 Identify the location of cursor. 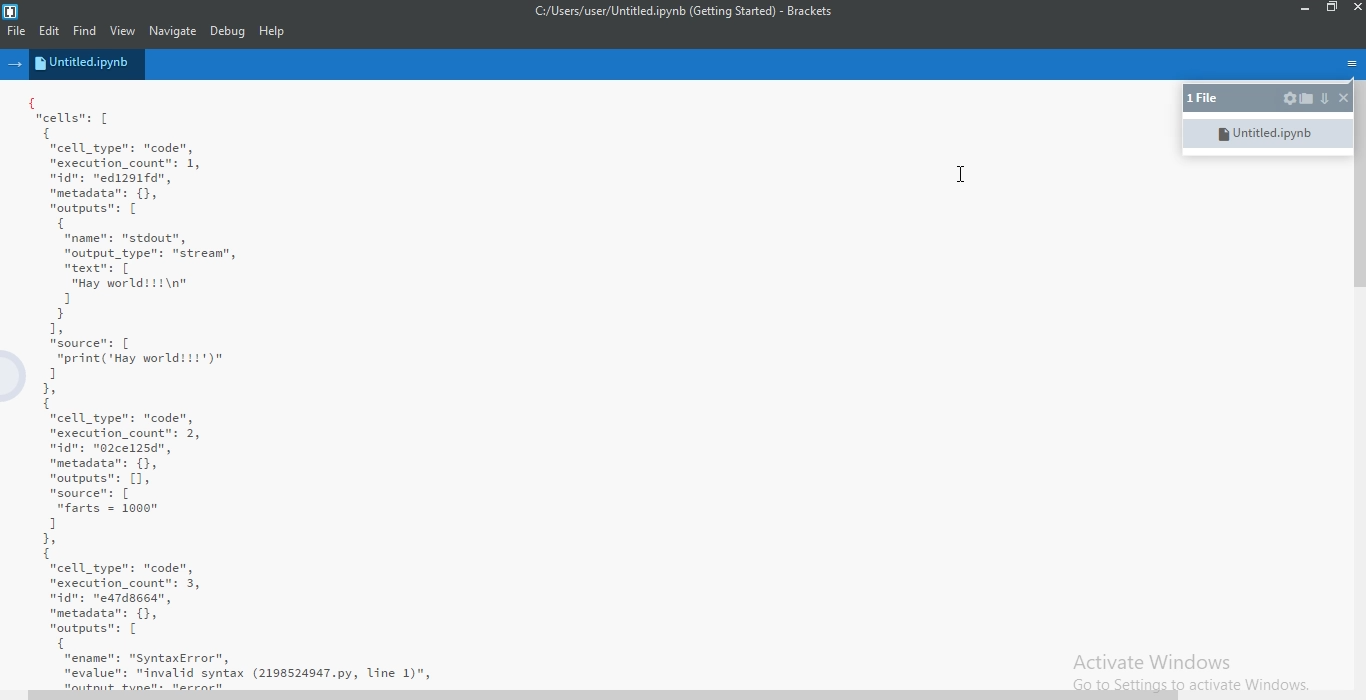
(960, 176).